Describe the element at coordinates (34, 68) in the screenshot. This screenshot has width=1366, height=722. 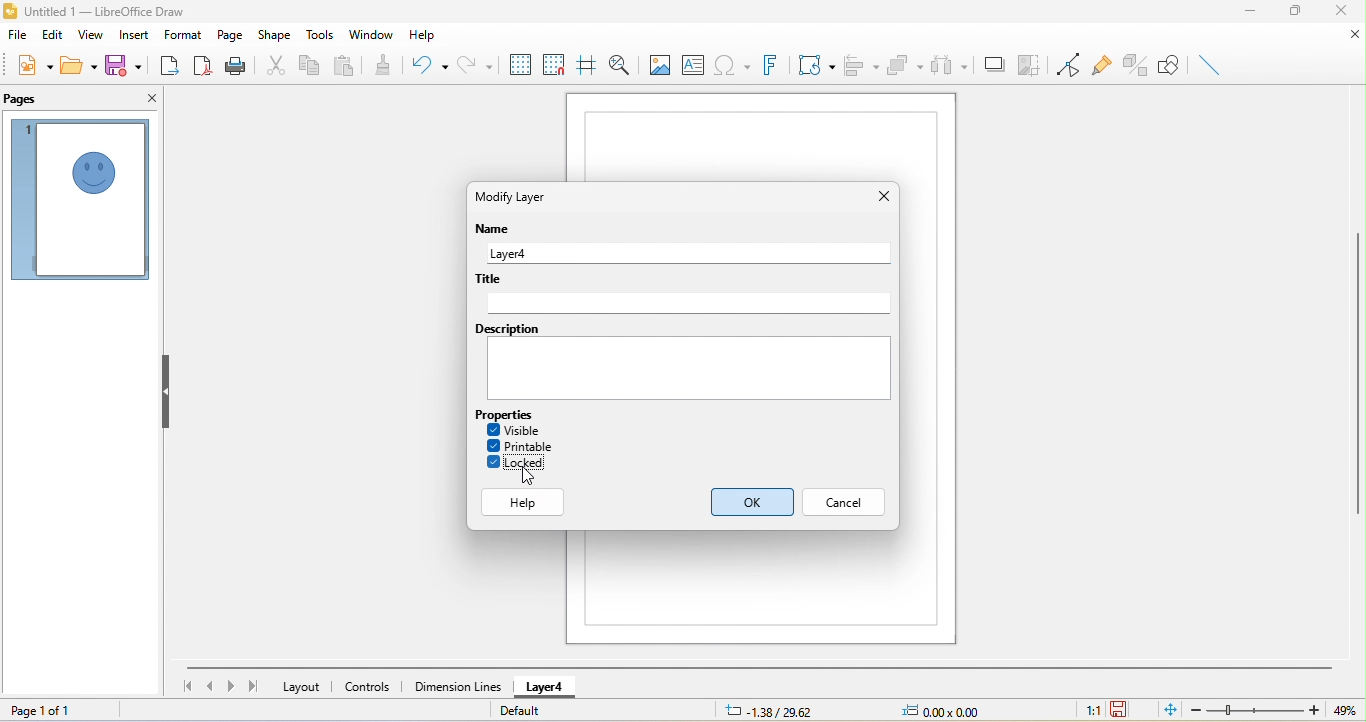
I see `new` at that location.